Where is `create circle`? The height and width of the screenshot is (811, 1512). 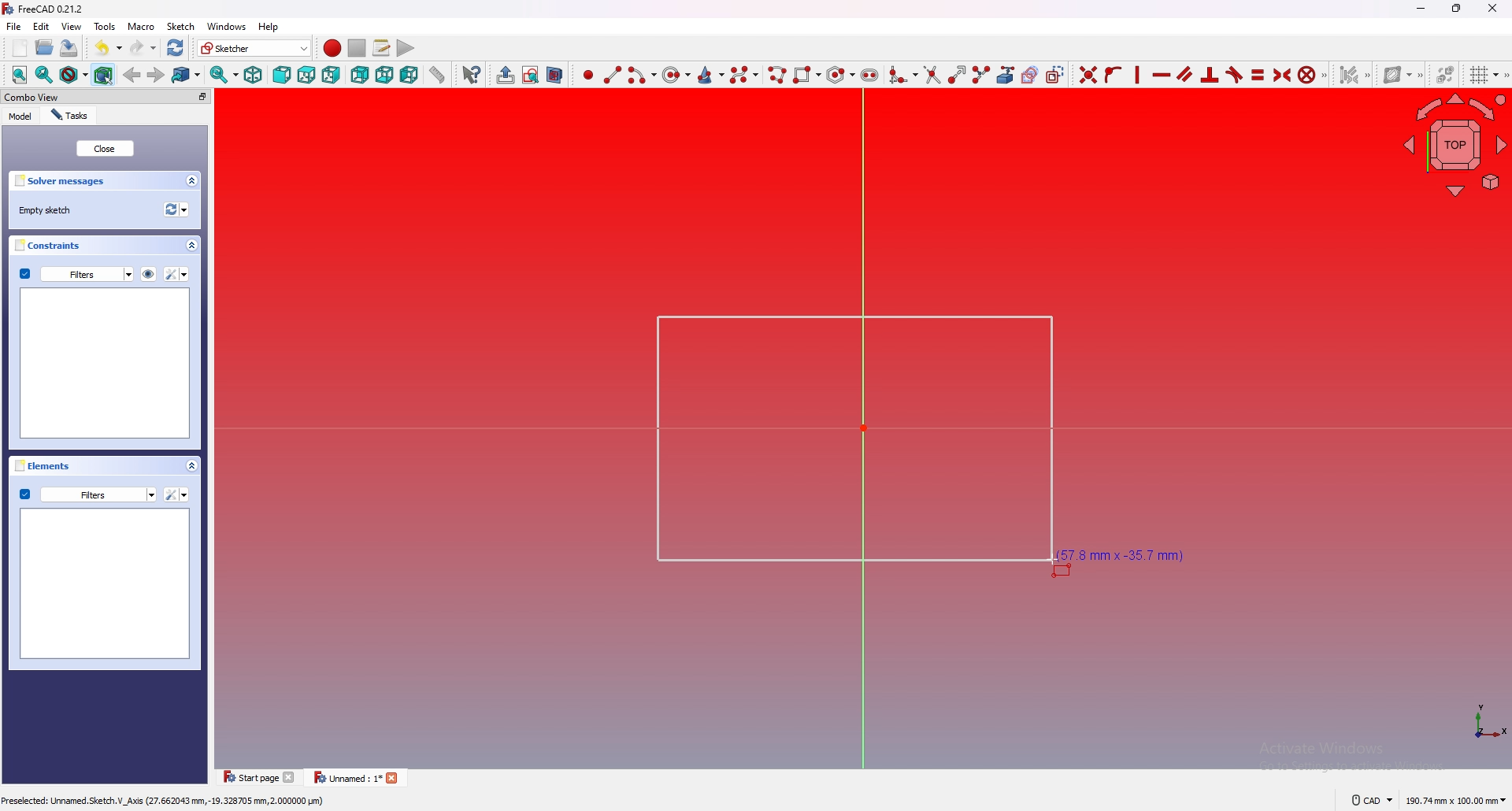
create circle is located at coordinates (676, 75).